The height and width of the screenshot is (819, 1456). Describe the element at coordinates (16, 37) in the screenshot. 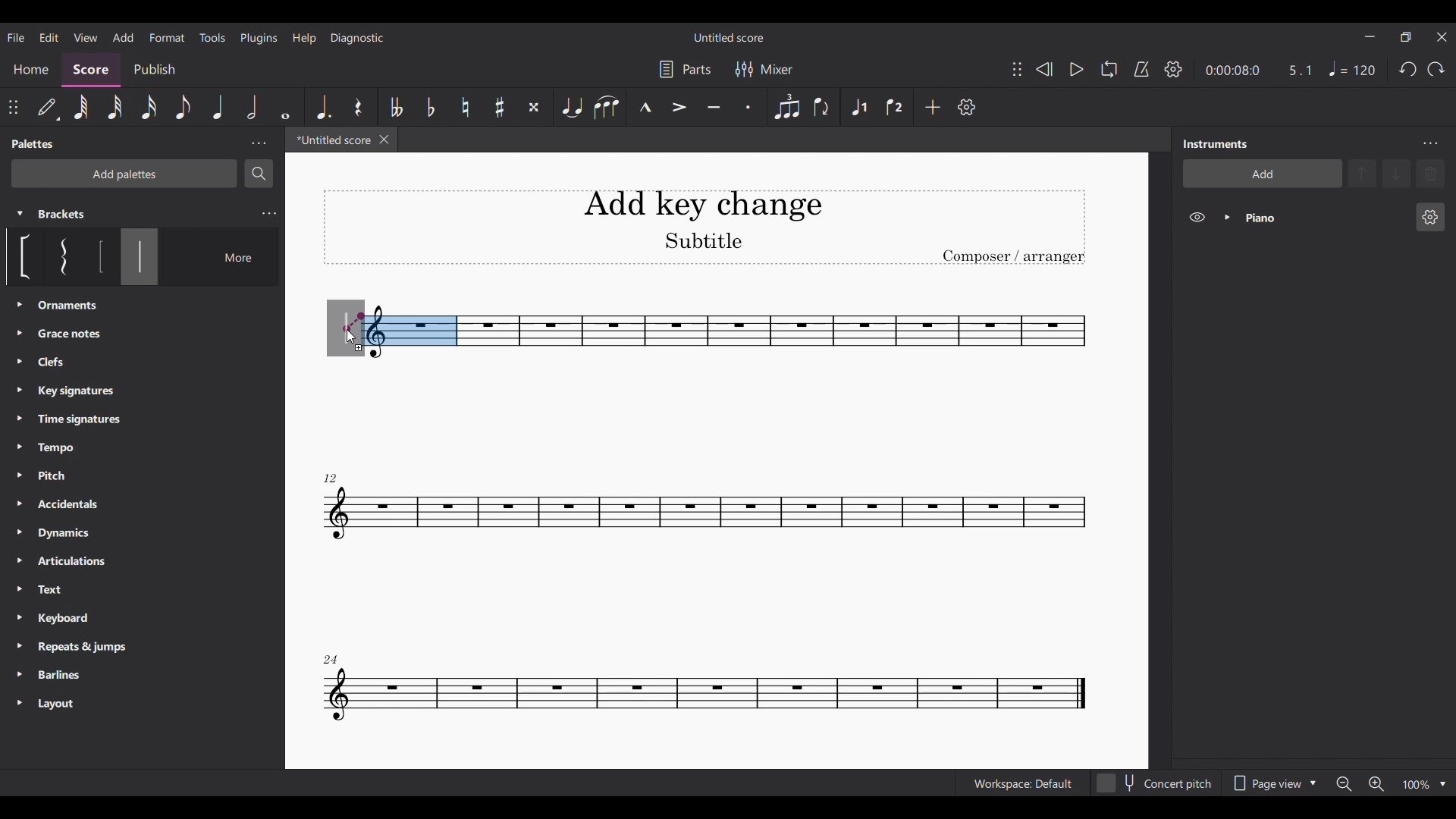

I see `File menu` at that location.